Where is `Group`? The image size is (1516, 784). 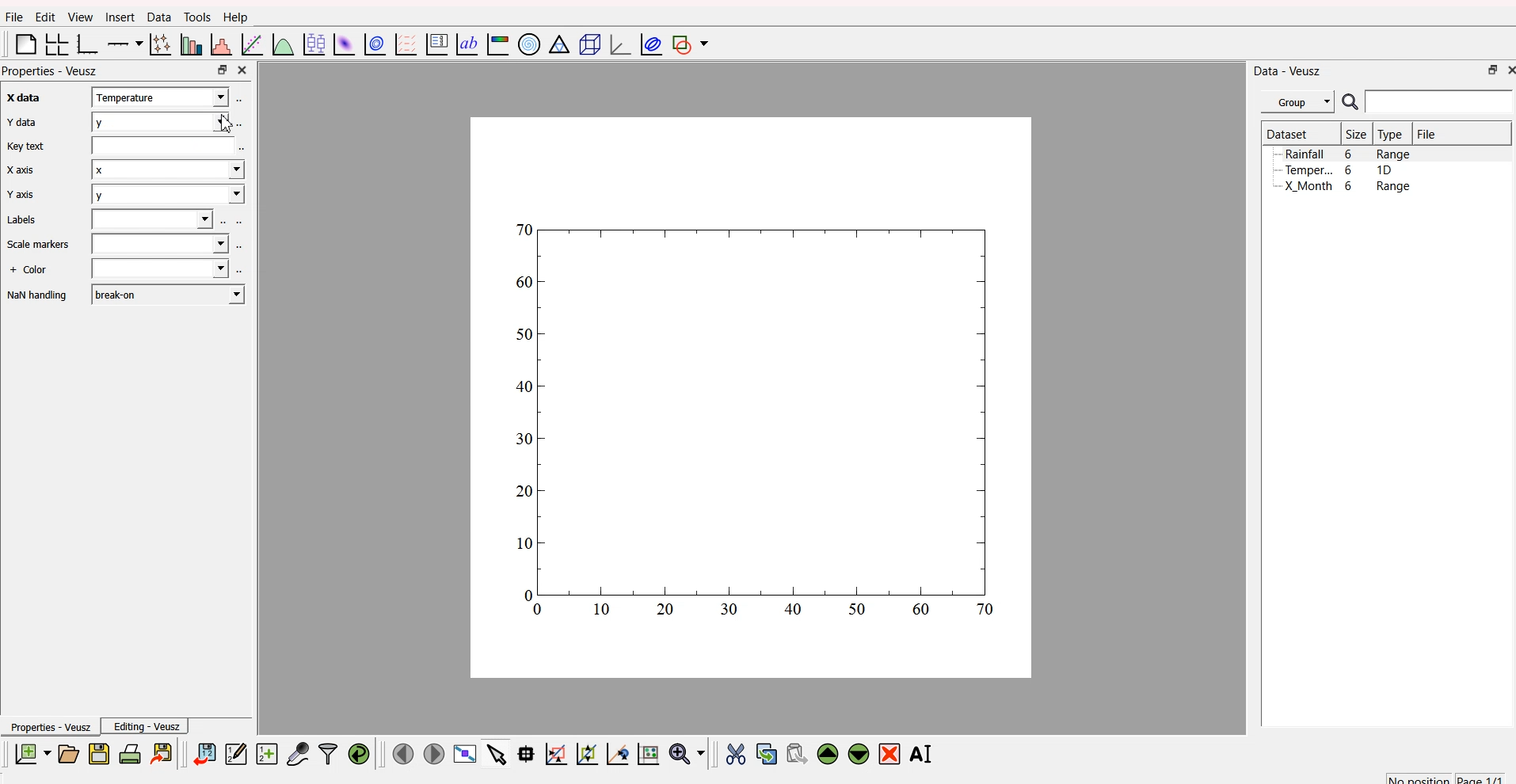
Group is located at coordinates (1297, 102).